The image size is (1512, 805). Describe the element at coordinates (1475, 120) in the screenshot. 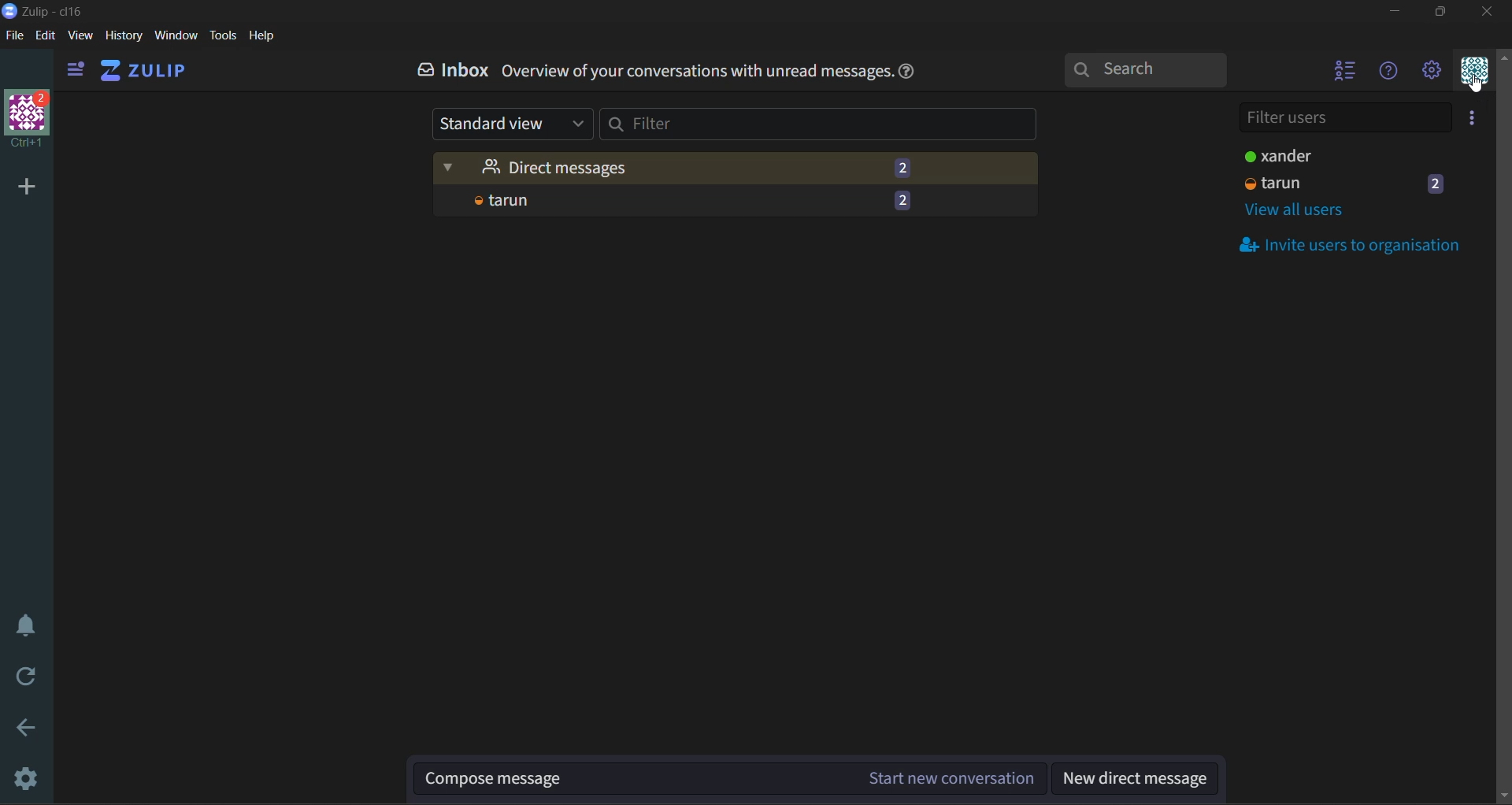

I see `invite users to organisation` at that location.